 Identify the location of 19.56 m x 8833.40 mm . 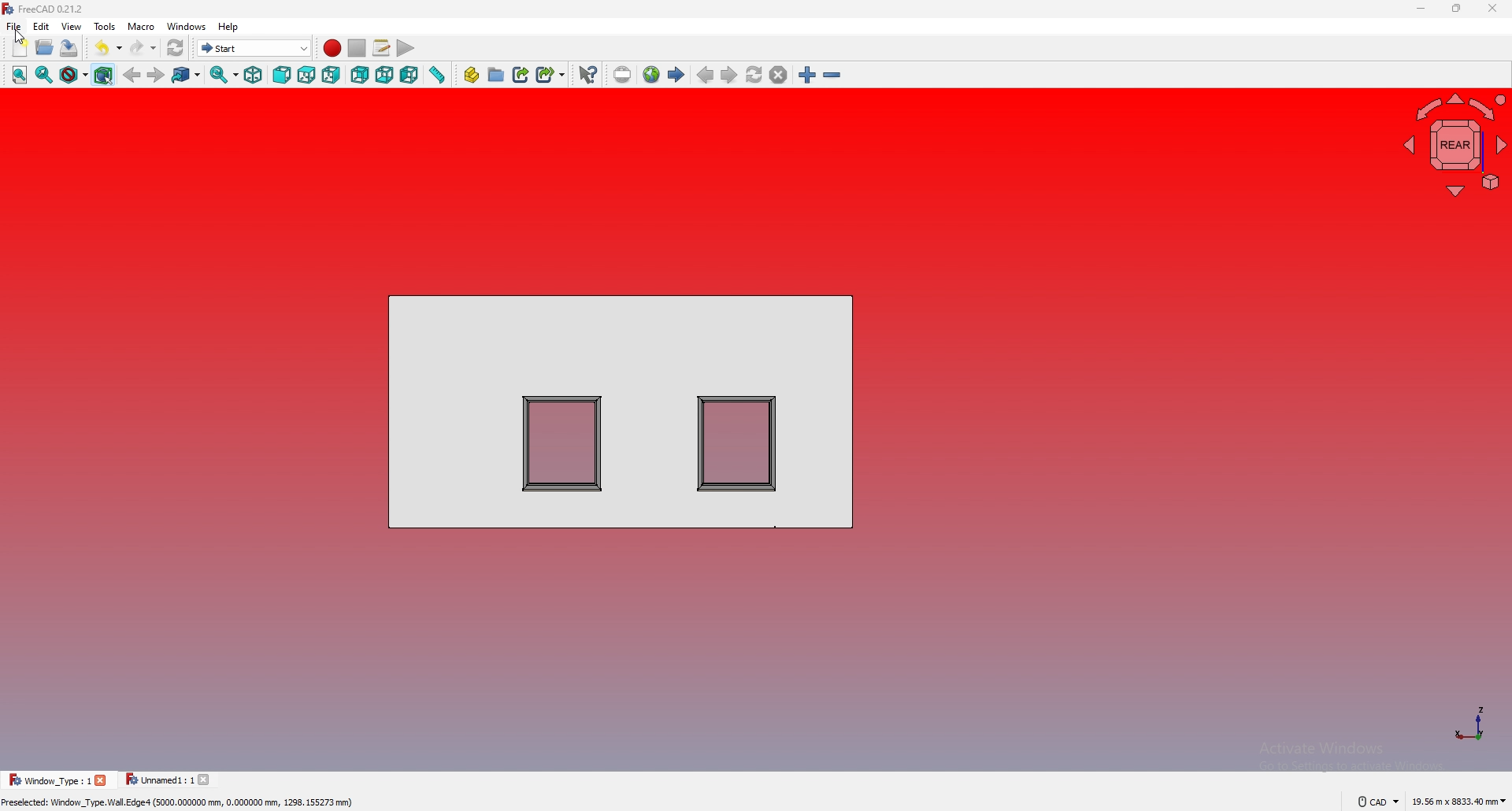
(1459, 799).